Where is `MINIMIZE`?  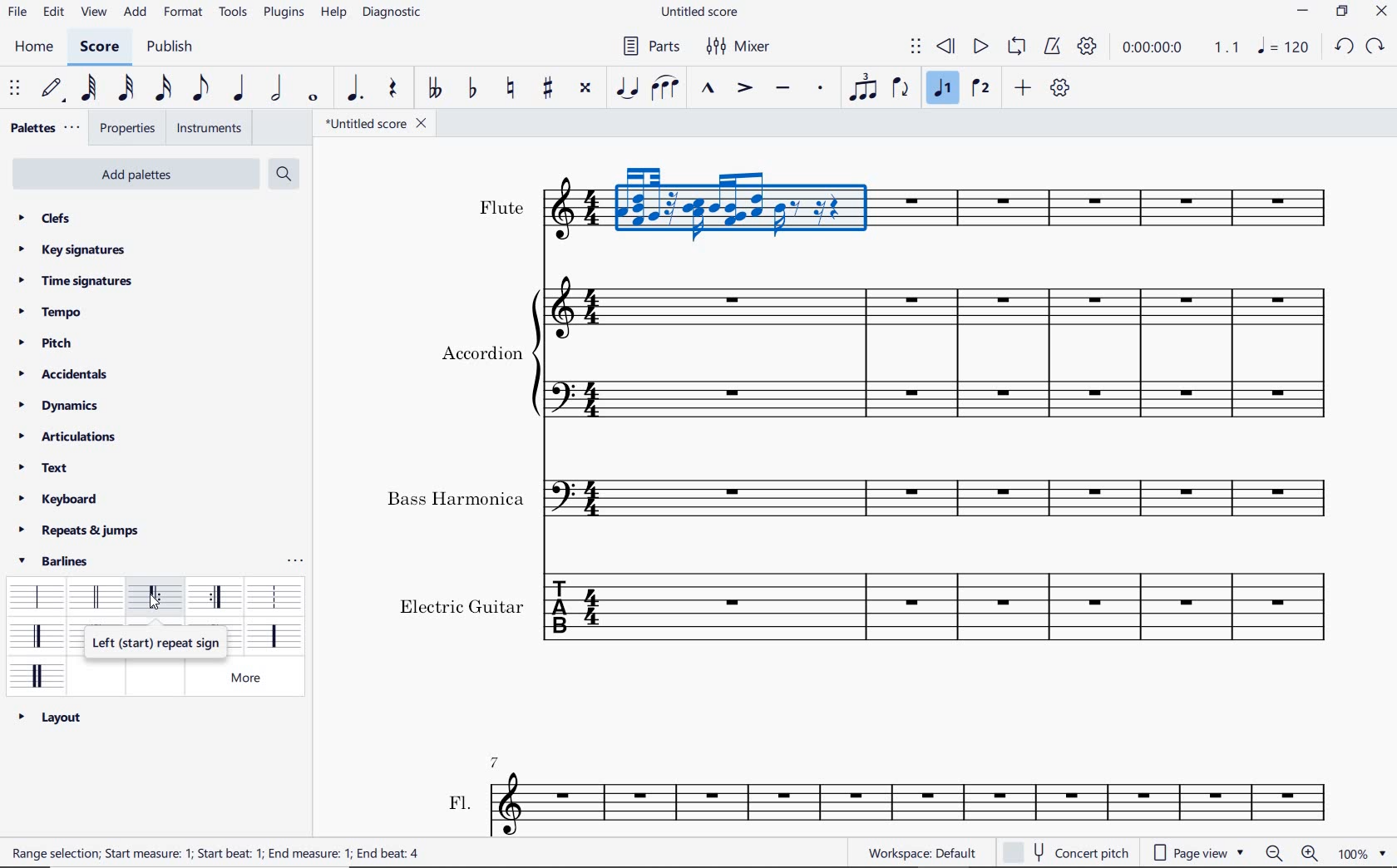 MINIMIZE is located at coordinates (1303, 10).